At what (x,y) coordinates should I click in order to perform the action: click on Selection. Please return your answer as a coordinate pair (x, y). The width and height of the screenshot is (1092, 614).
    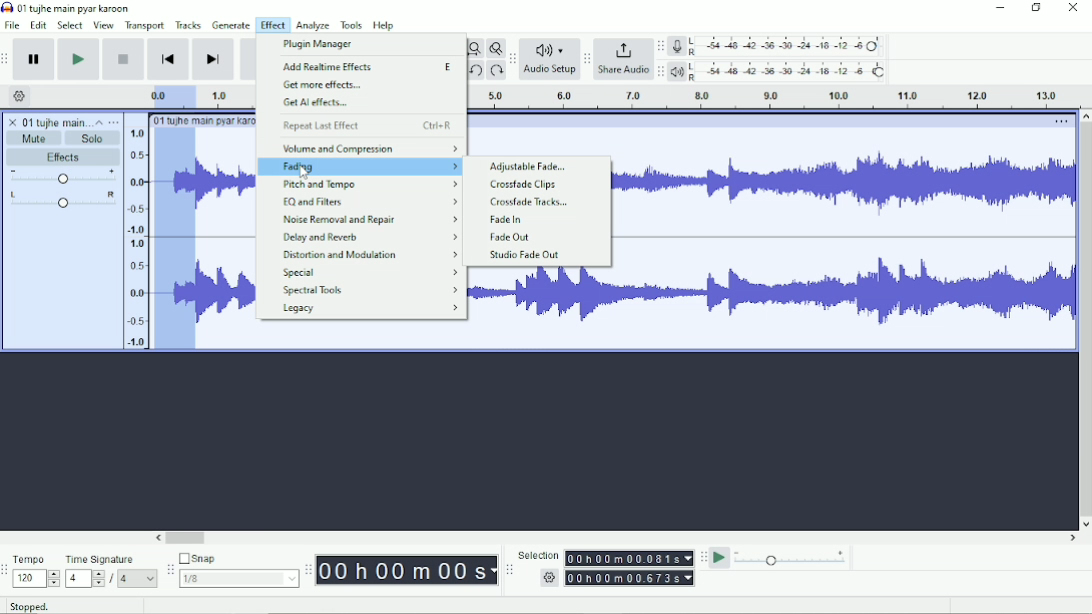
    Looking at the image, I should click on (538, 555).